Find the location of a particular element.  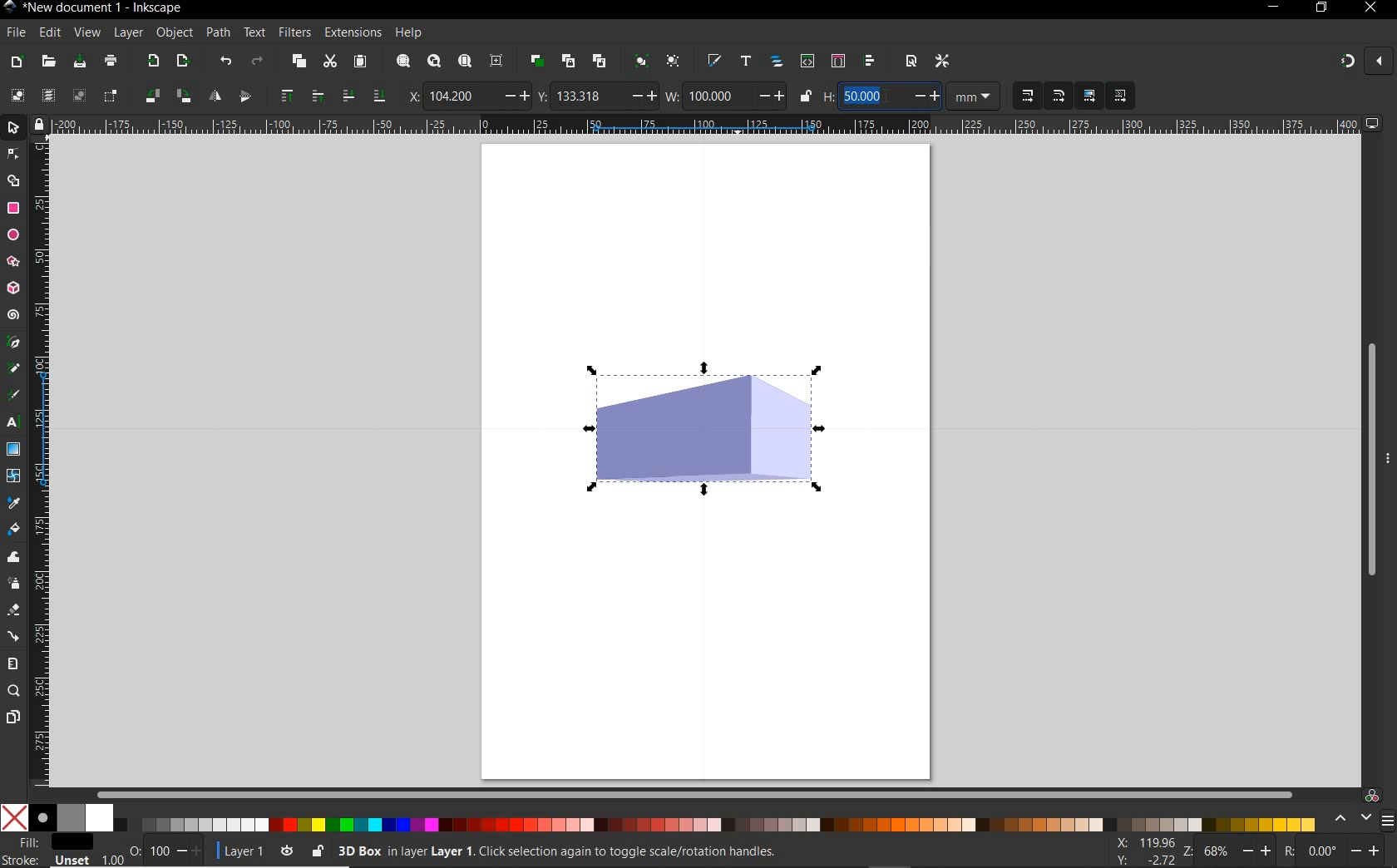

x is located at coordinates (409, 94).